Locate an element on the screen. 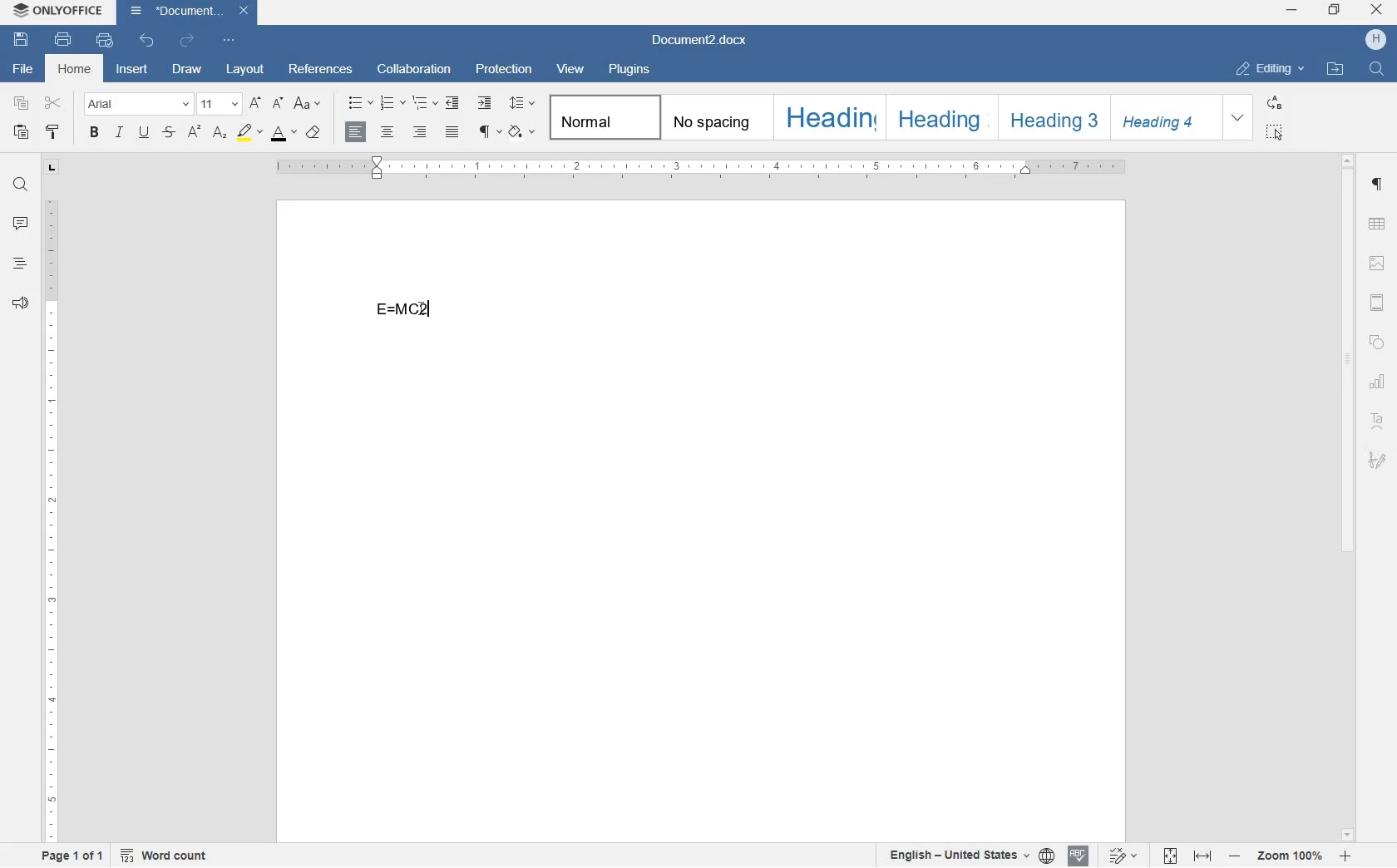  find is located at coordinates (1375, 68).